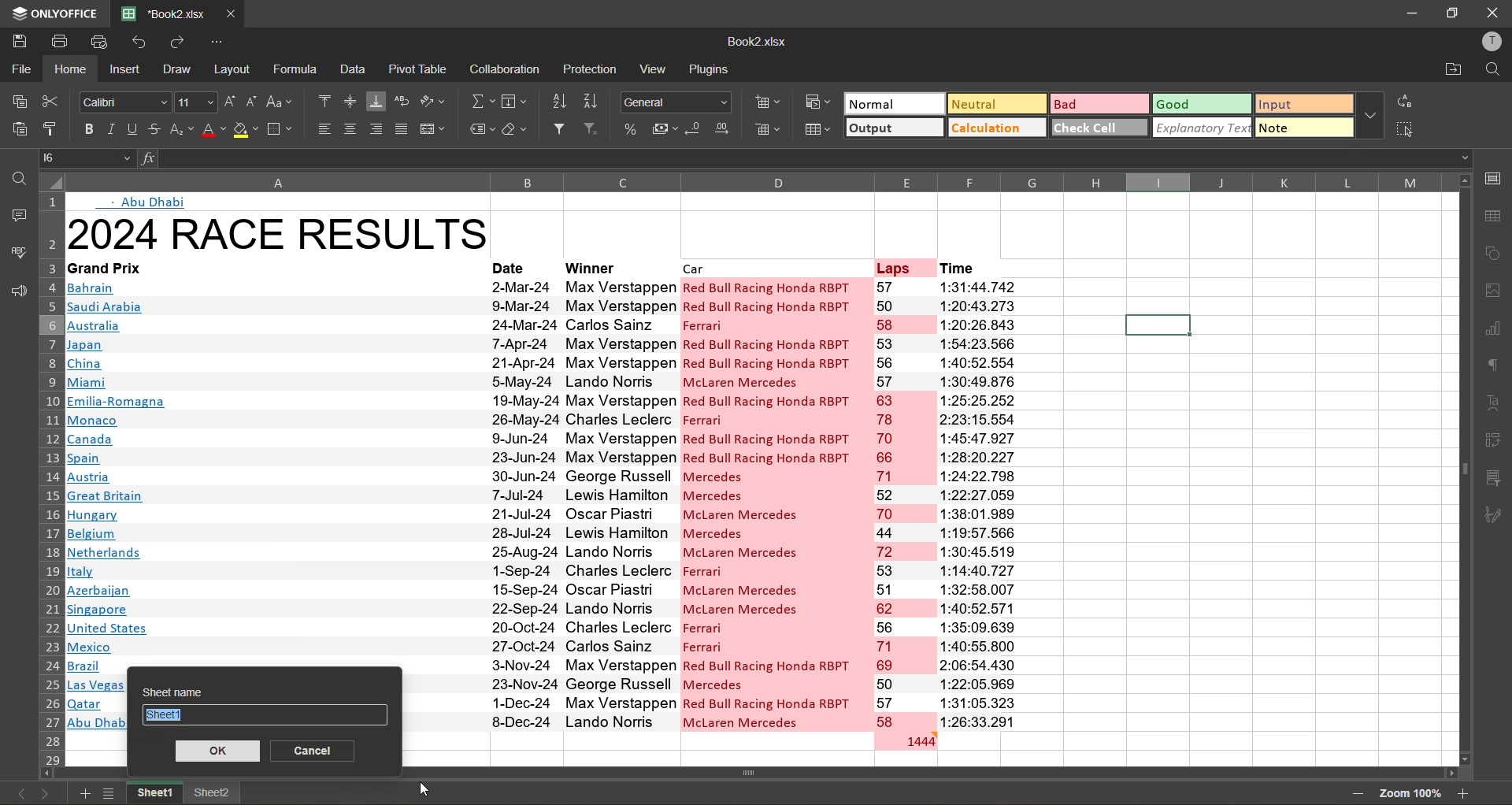  What do you see at coordinates (695, 130) in the screenshot?
I see `decrease decimal` at bounding box center [695, 130].